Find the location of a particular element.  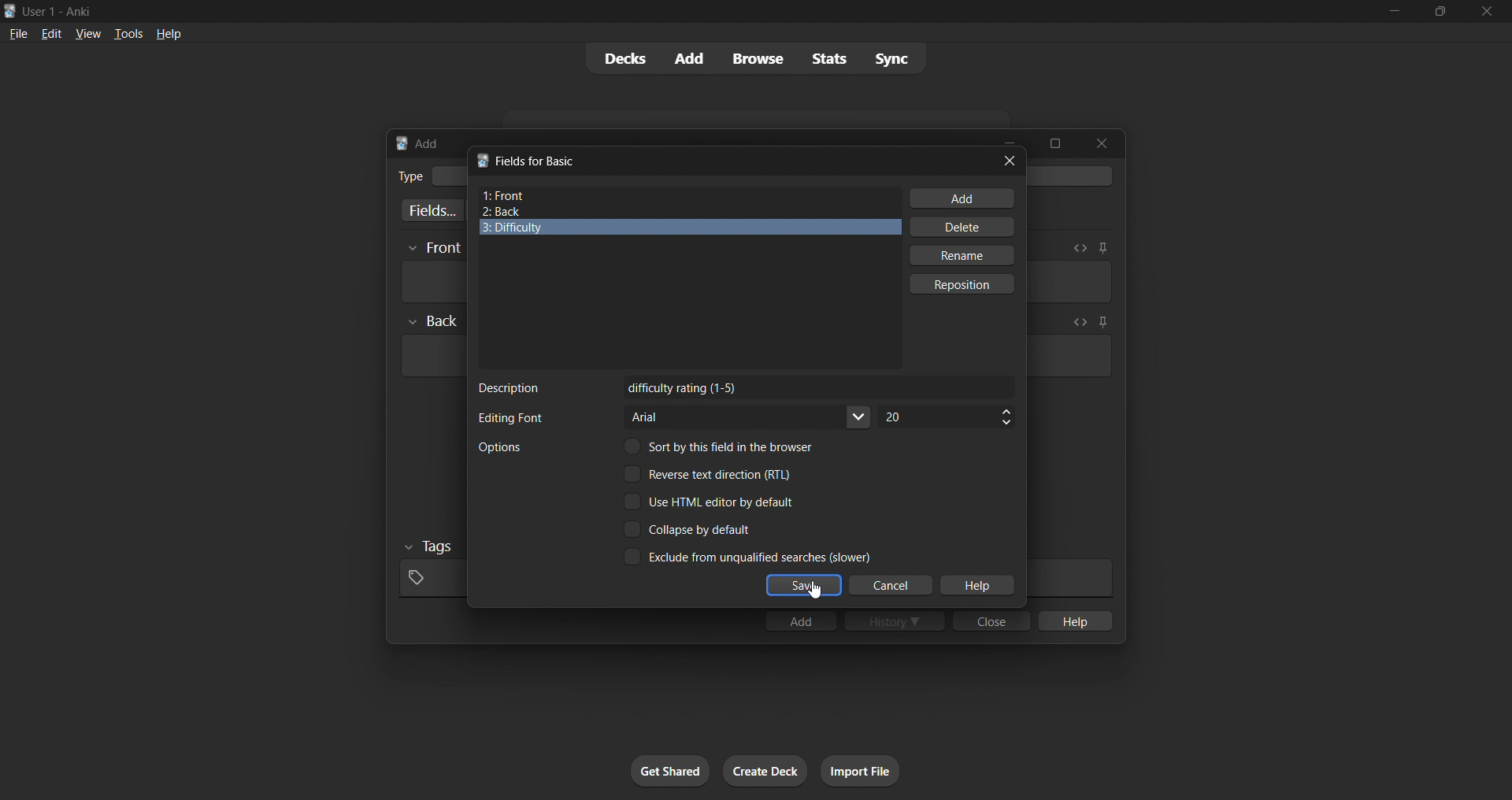

sync is located at coordinates (891, 57).